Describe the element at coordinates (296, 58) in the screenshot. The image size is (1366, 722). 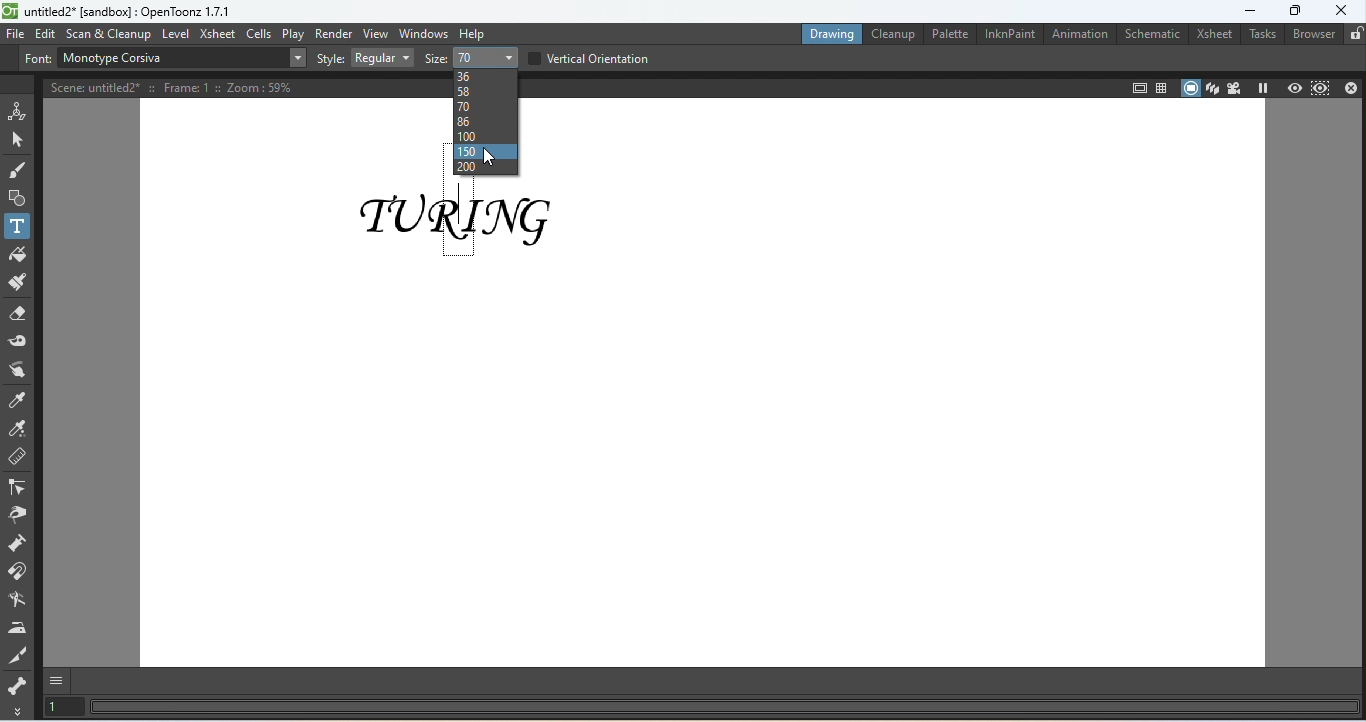
I see `Drop down` at that location.